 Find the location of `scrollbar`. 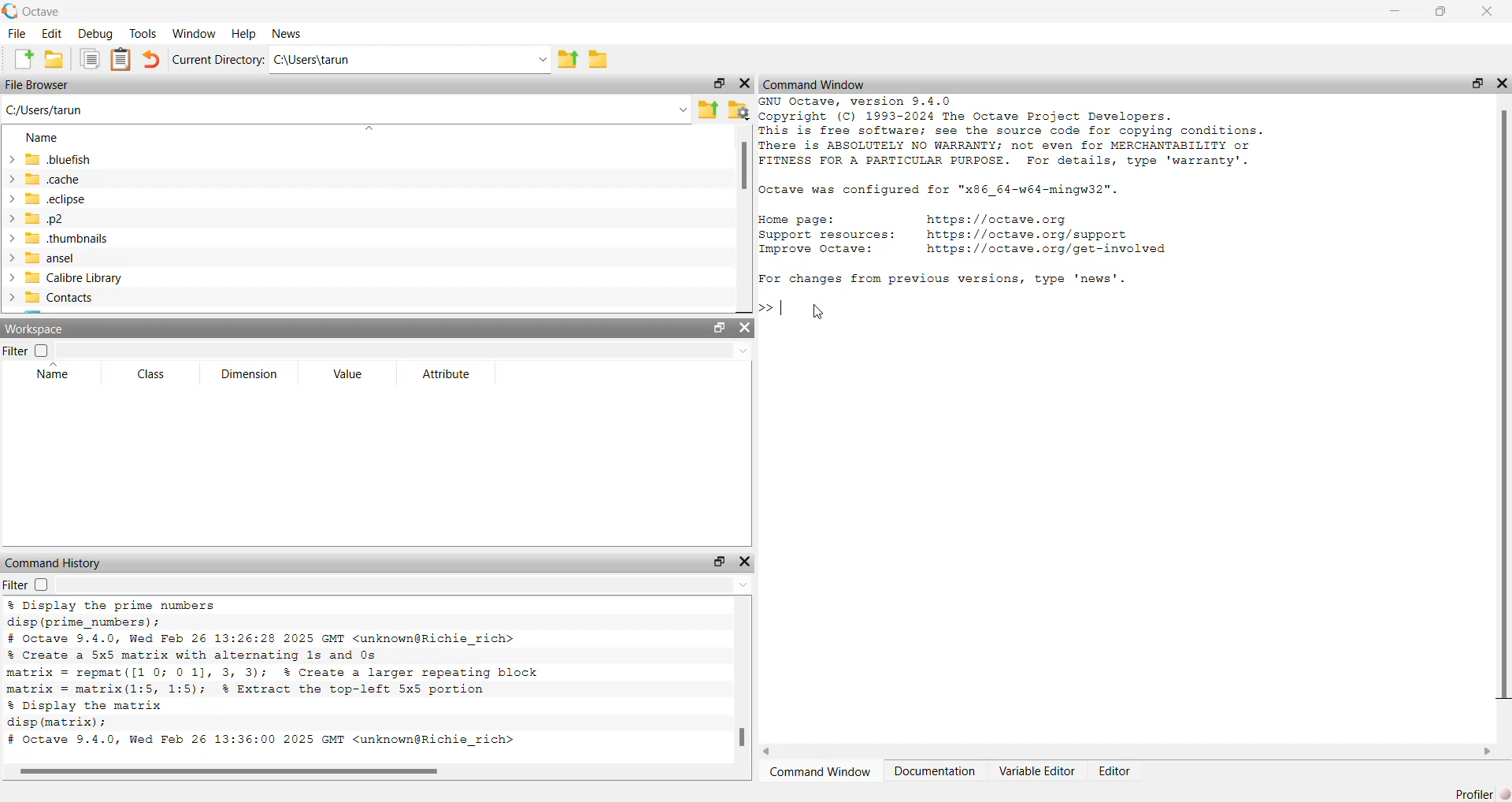

scrollbar is located at coordinates (1502, 405).